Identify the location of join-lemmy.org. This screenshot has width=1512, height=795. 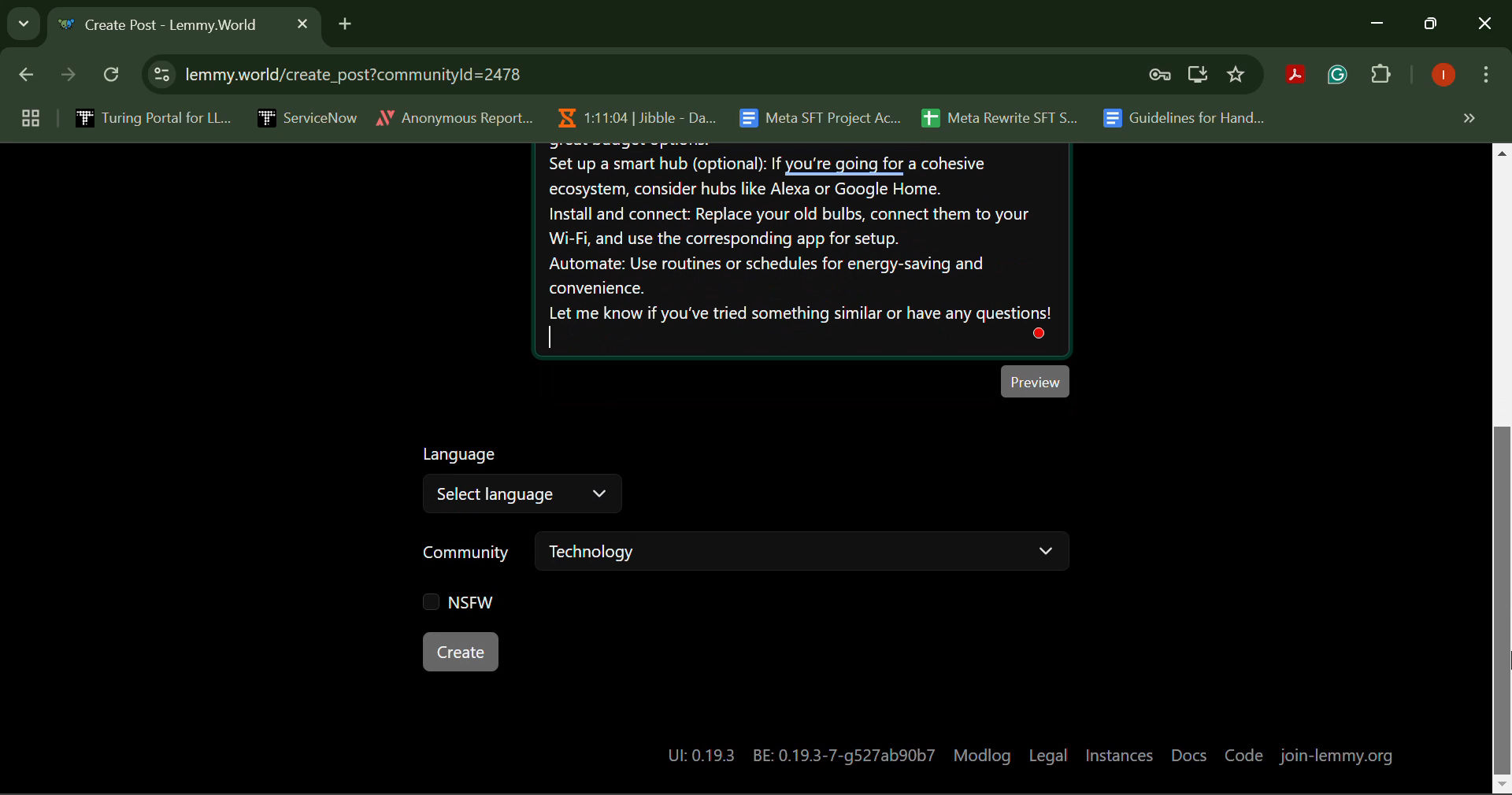
(1336, 755).